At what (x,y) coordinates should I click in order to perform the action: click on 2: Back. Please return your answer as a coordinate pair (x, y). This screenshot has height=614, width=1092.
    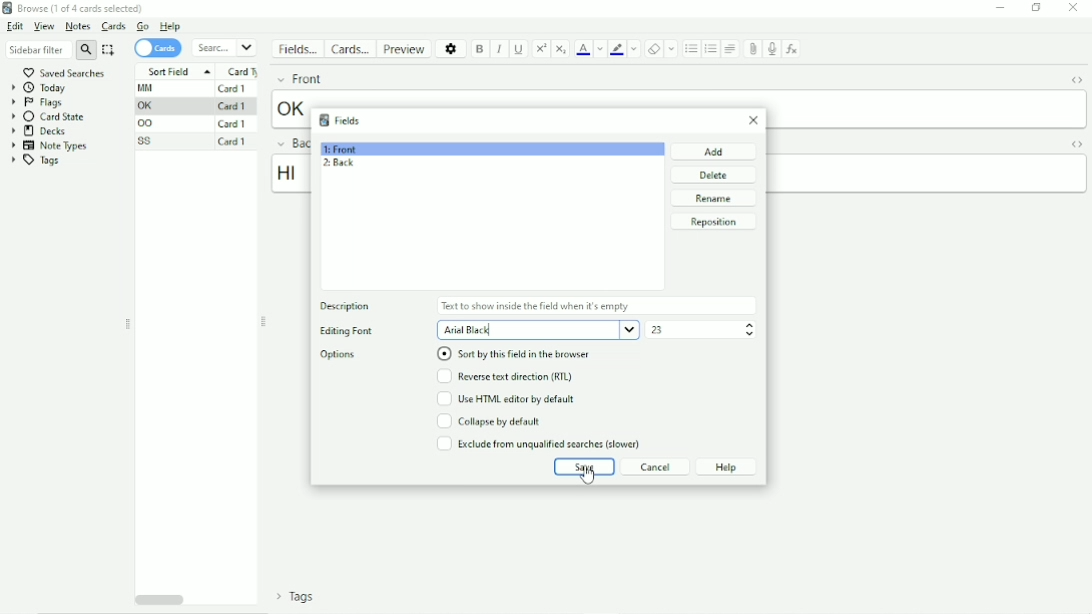
    Looking at the image, I should click on (341, 163).